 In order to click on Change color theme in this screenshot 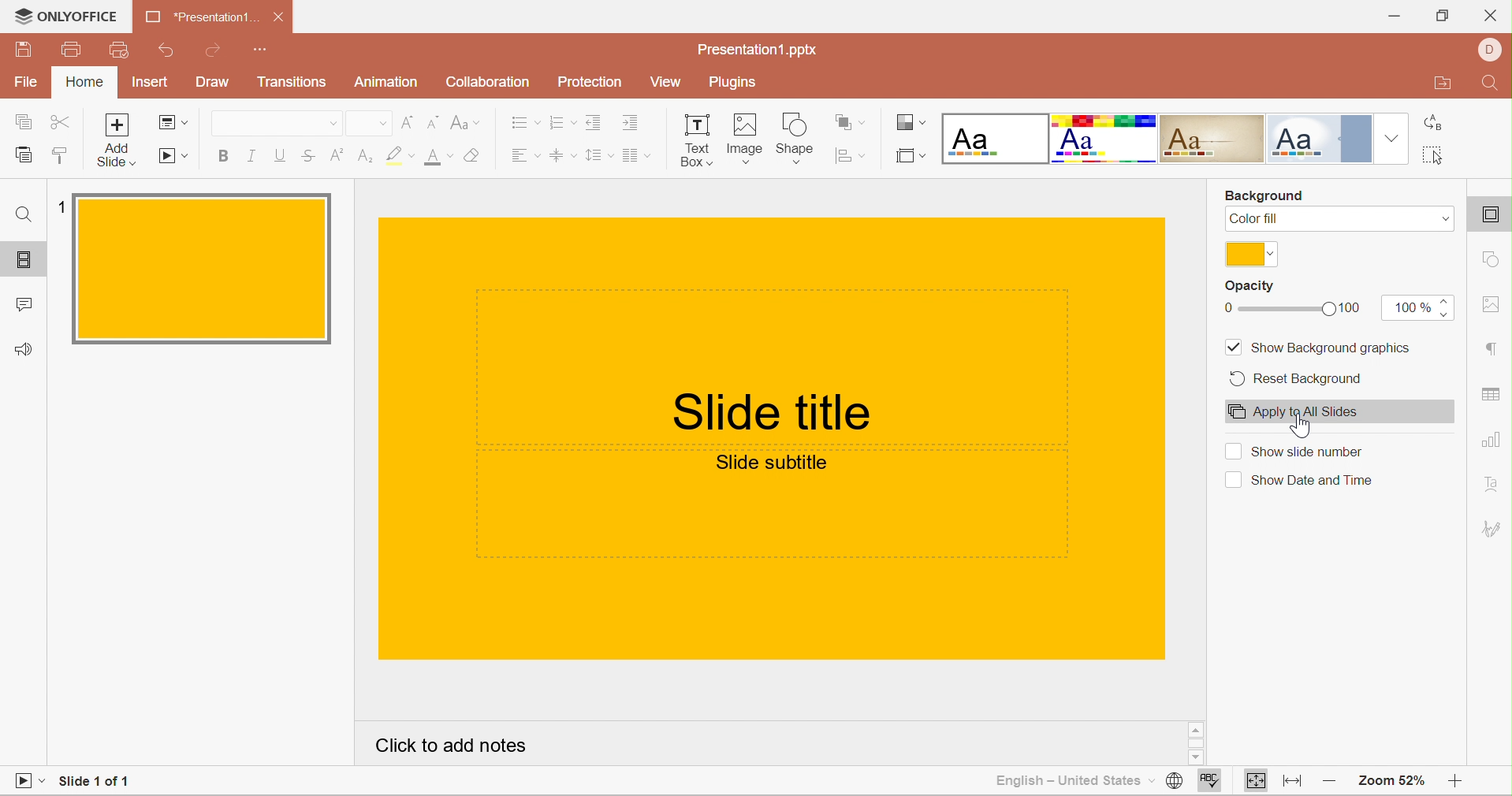, I will do `click(911, 122)`.